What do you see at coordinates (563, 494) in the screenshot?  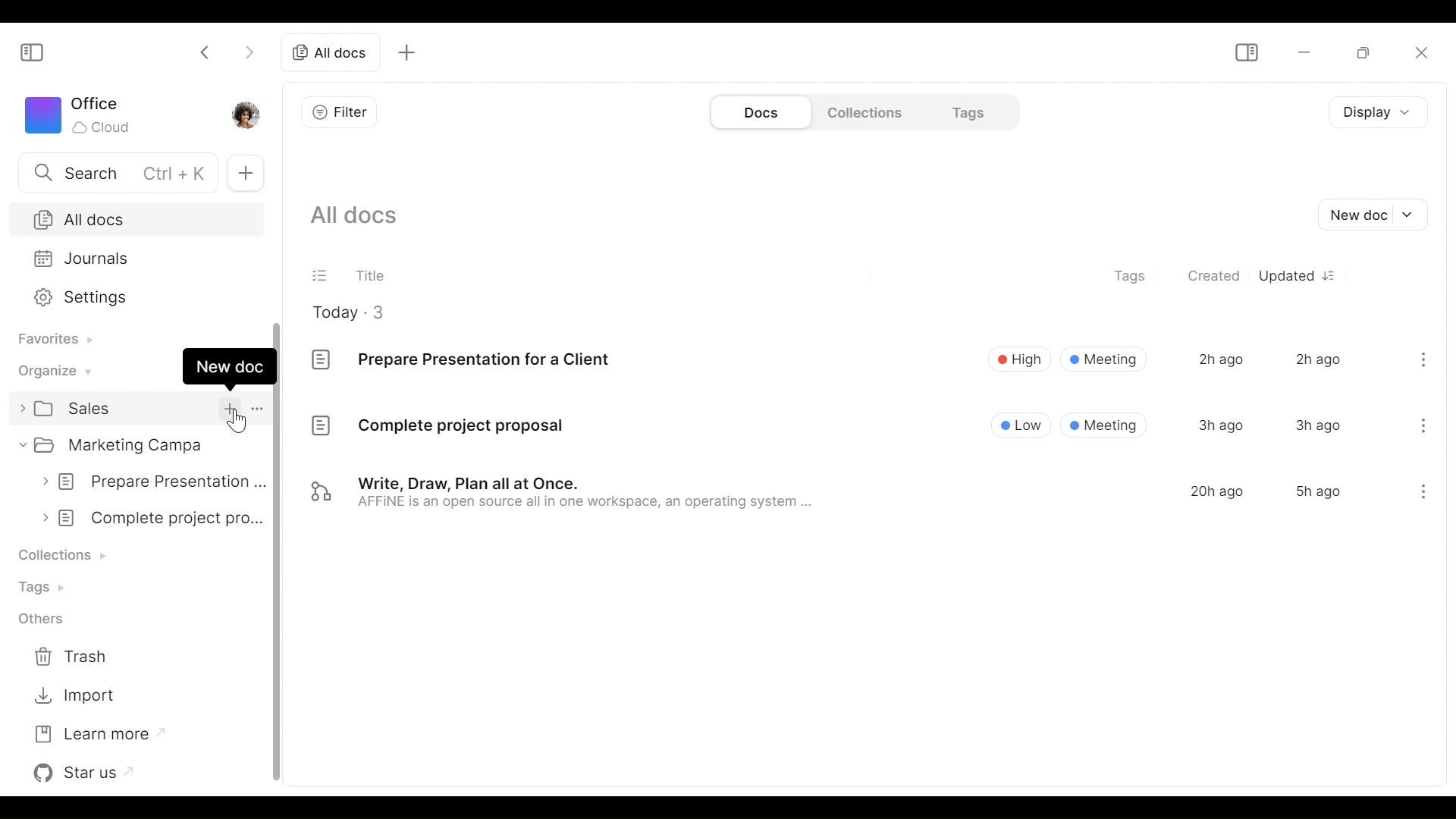 I see ` Write, Draw, Plan all at Once. AFFINE is an open source all in one workspace, an operating system ...` at bounding box center [563, 494].